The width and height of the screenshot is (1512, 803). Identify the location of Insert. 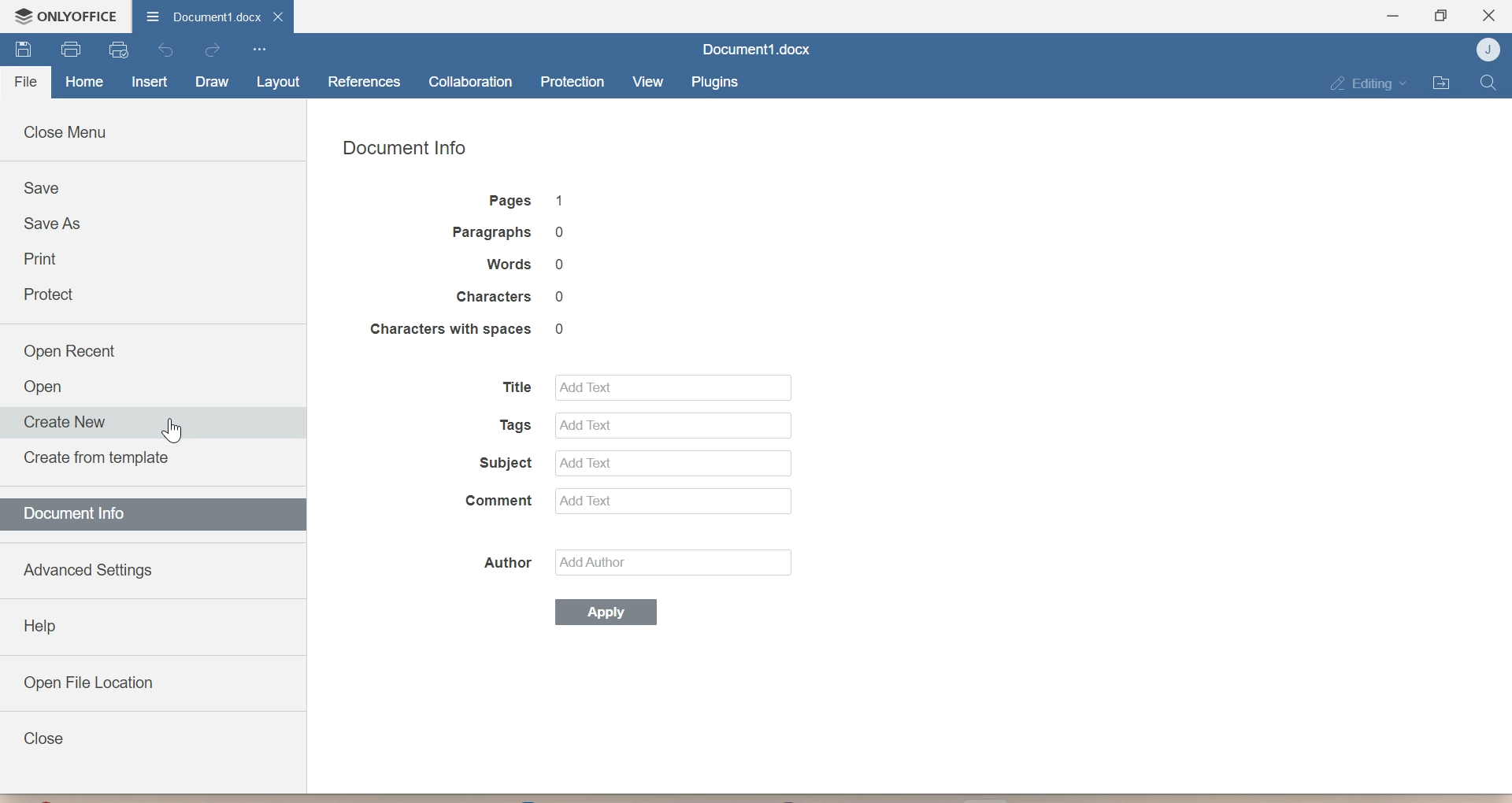
(150, 81).